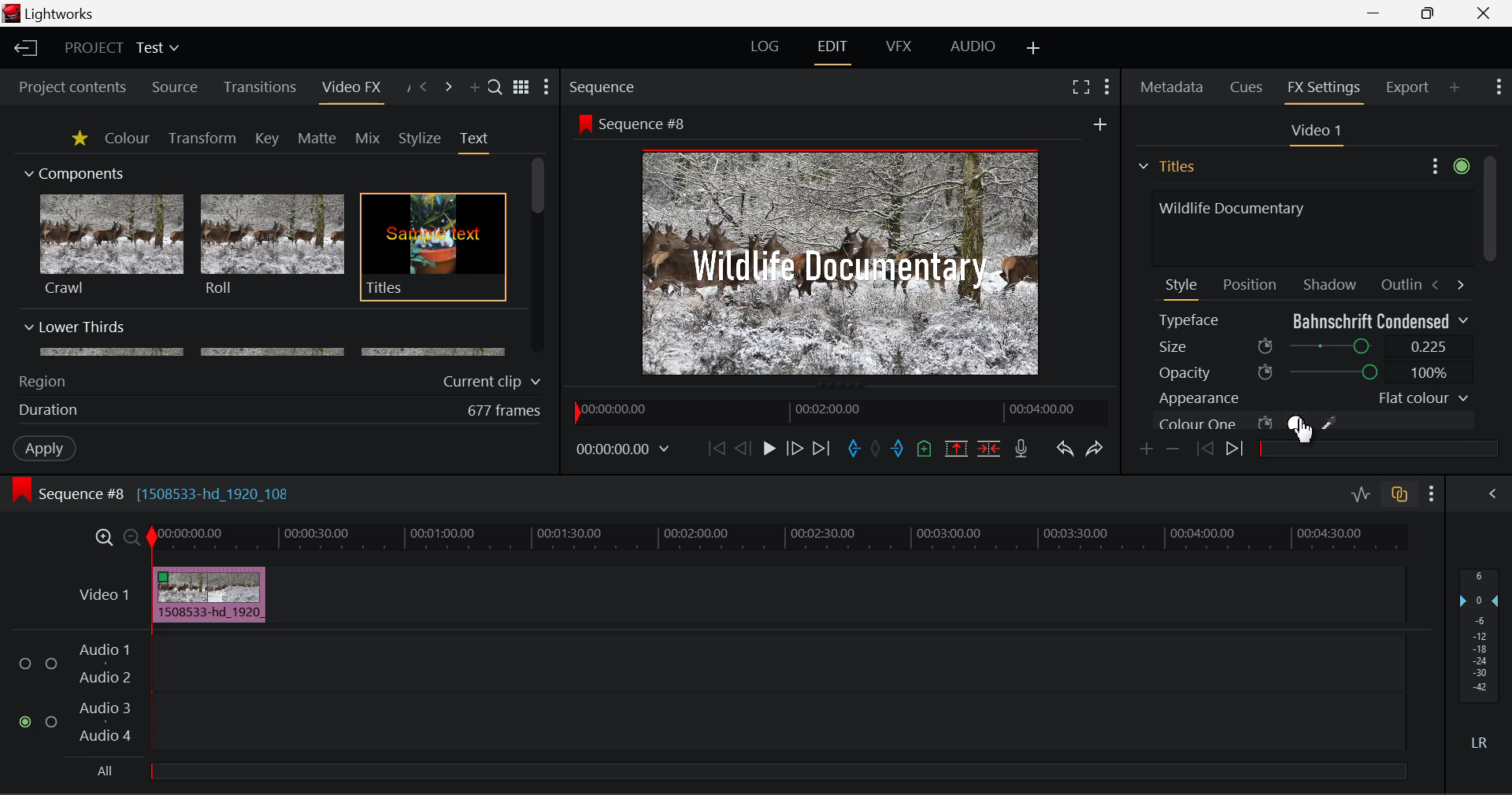 This screenshot has height=795, width=1512. I want to click on Search, so click(496, 86).